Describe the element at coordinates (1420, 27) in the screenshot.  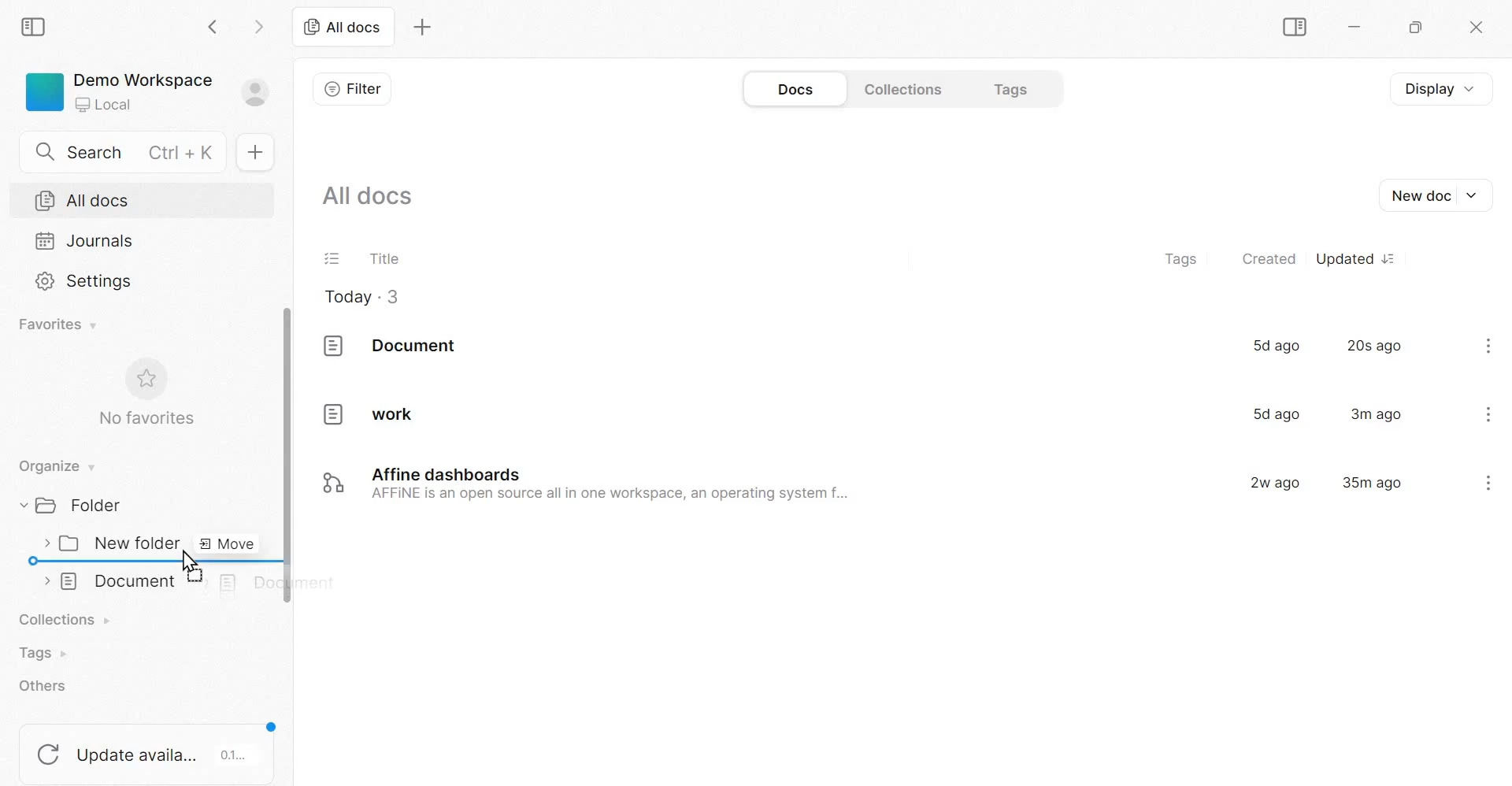
I see `Maximize` at that location.